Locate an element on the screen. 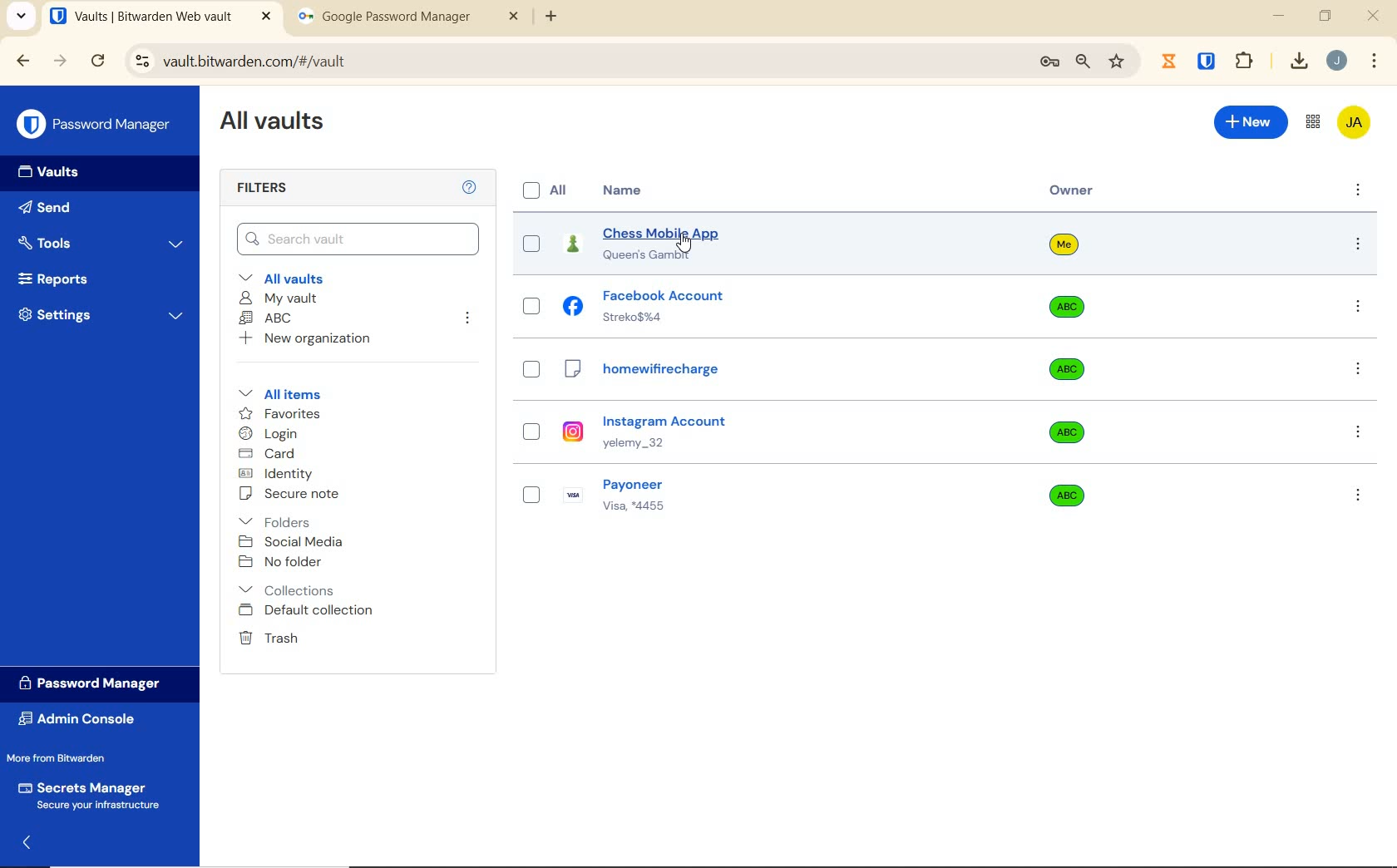 The width and height of the screenshot is (1397, 868). restore is located at coordinates (1324, 15).